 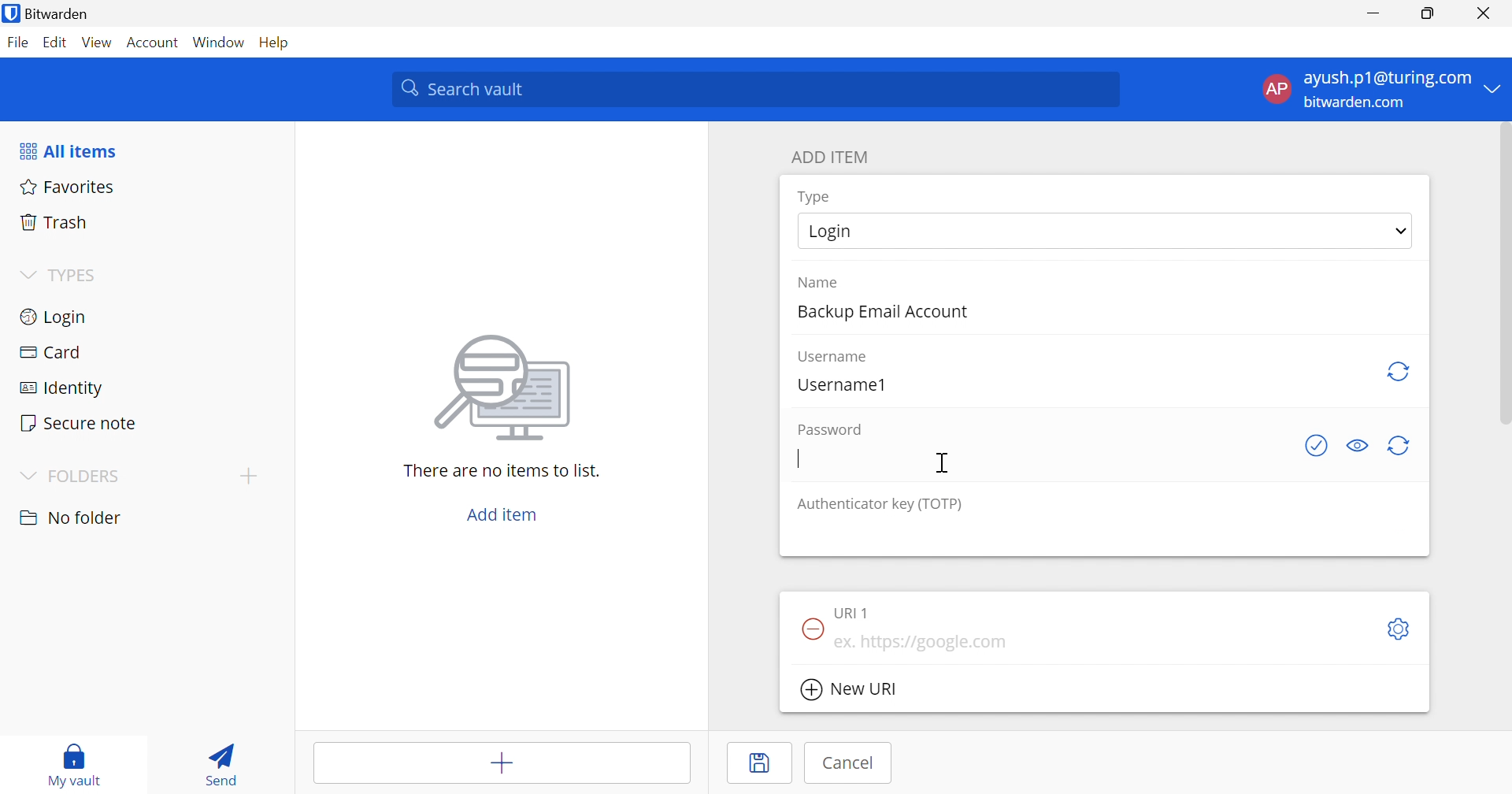 What do you see at coordinates (1385, 78) in the screenshot?
I see `ayush.p1@gmail.com` at bounding box center [1385, 78].